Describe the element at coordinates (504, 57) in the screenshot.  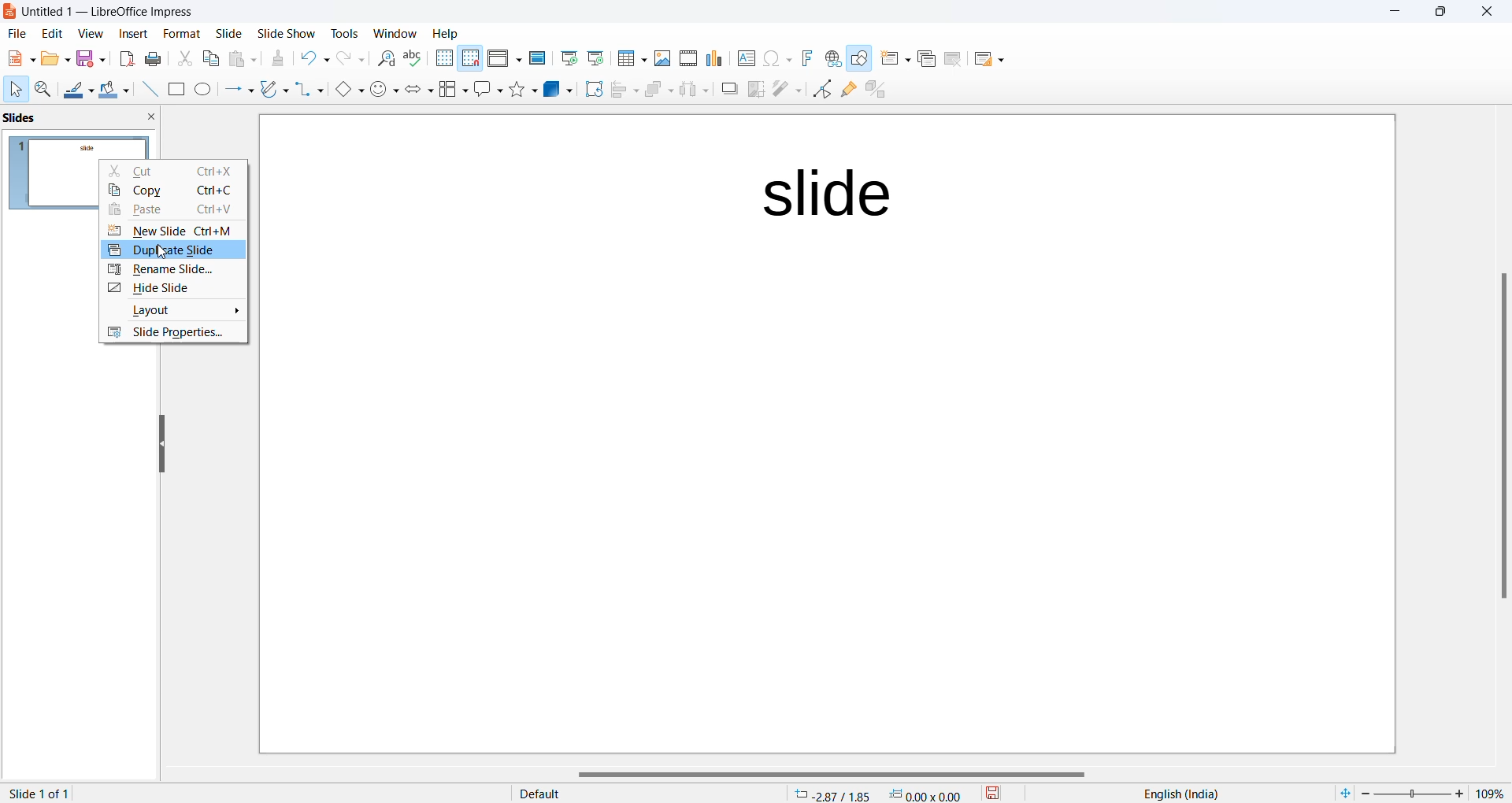
I see `Display views` at that location.